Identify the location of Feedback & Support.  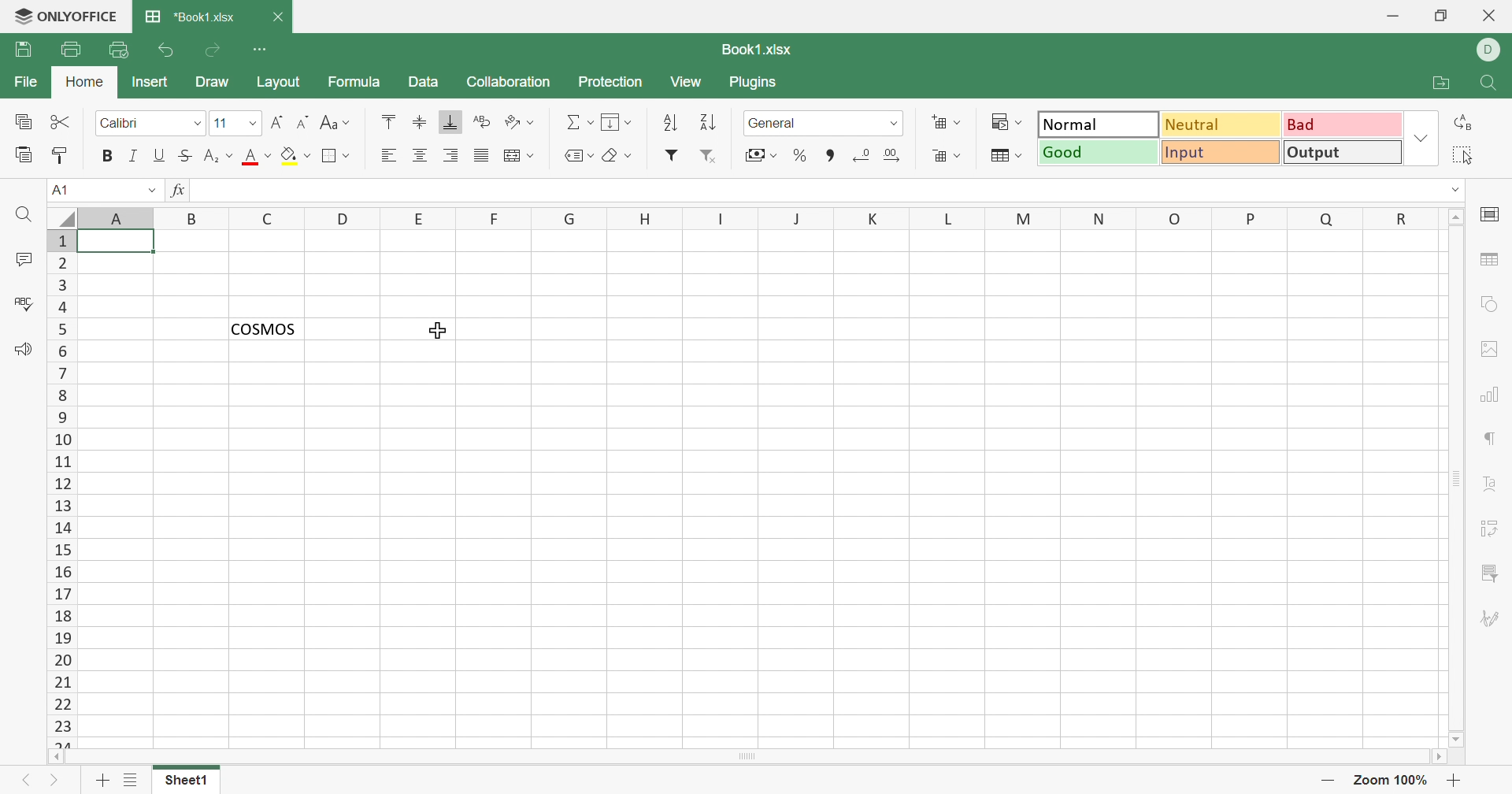
(25, 351).